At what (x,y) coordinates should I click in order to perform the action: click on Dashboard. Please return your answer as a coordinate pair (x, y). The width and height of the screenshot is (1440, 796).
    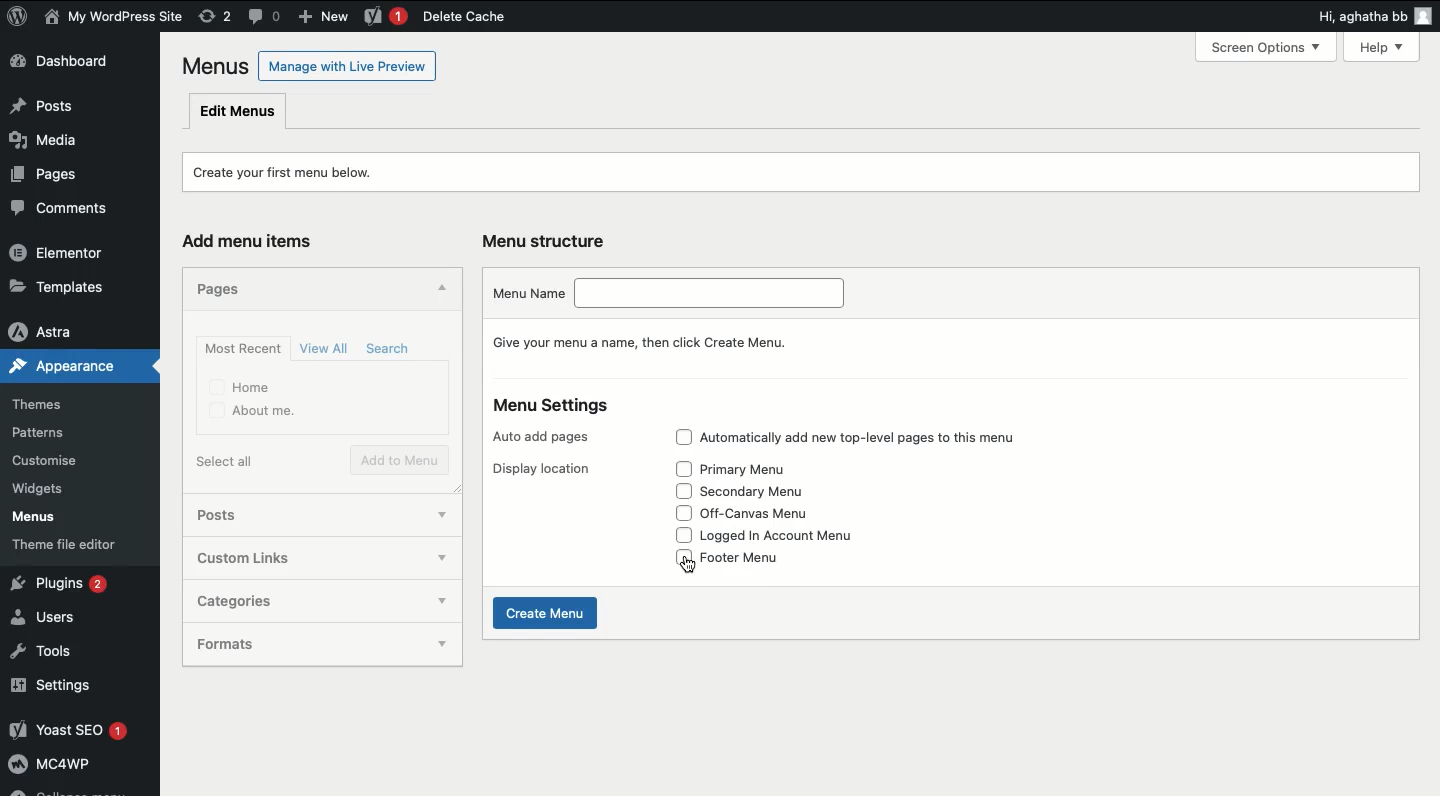
    Looking at the image, I should click on (71, 64).